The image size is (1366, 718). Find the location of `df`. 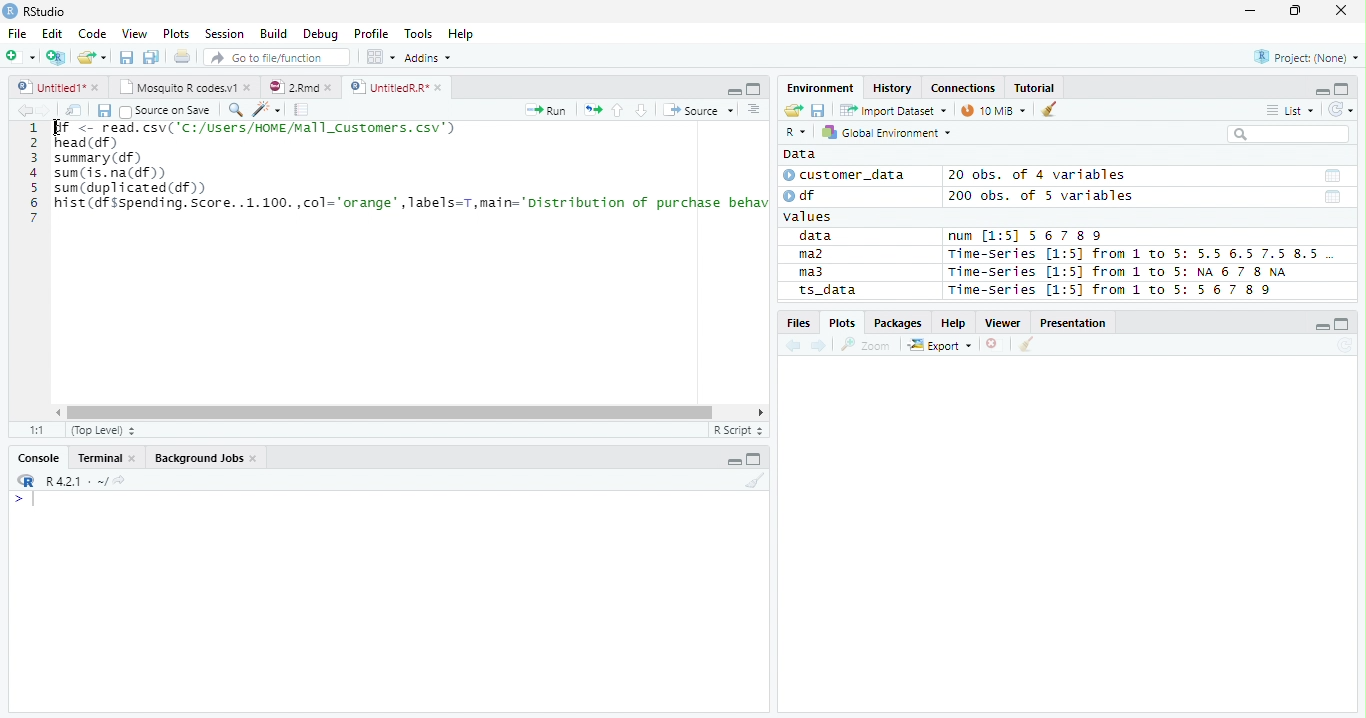

df is located at coordinates (806, 195).